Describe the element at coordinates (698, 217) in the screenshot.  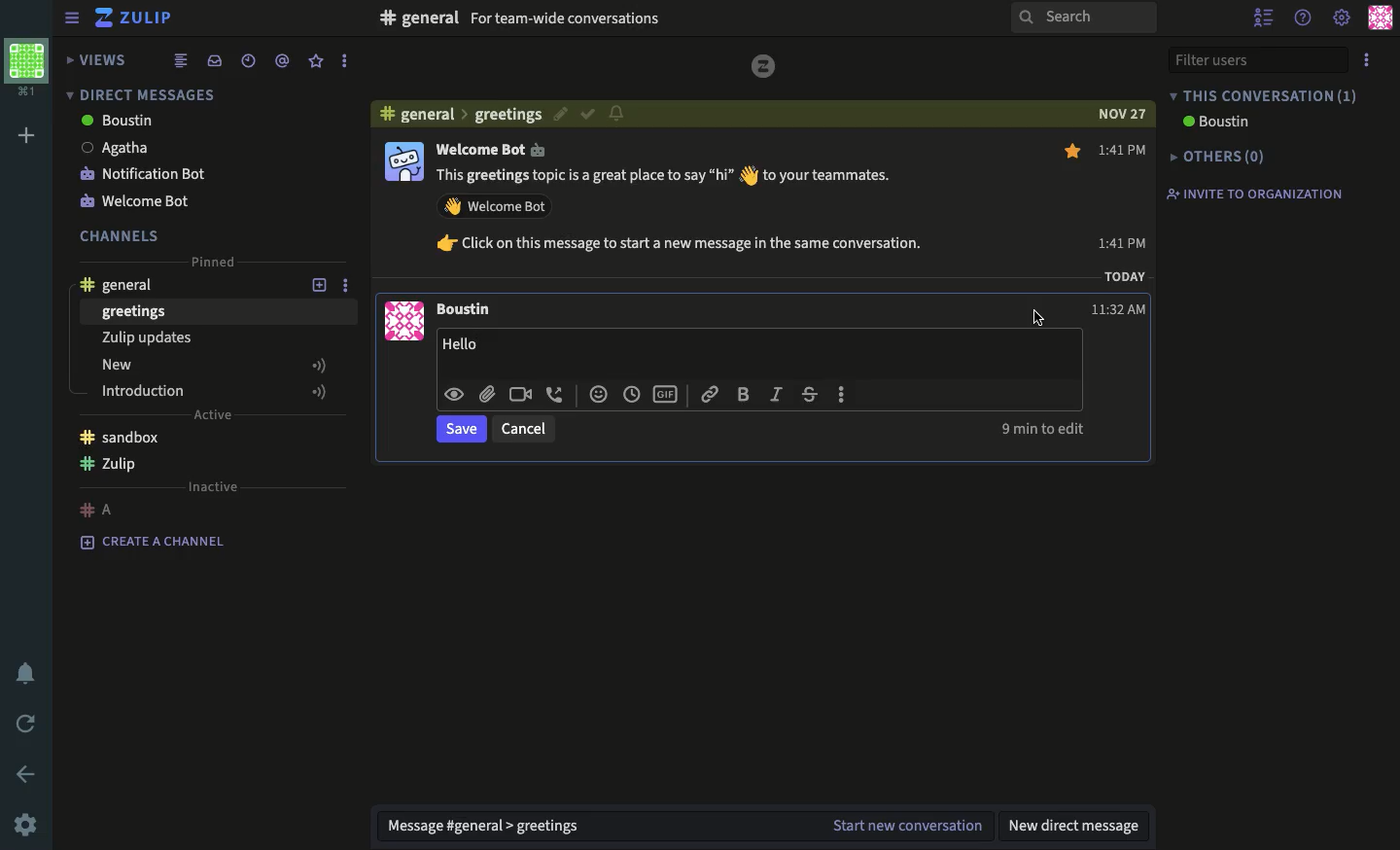
I see `This greetings topic is a great place to say “hi”  to your teammates. Welcome back. Click on this message to start a new message in the same conversation.` at that location.